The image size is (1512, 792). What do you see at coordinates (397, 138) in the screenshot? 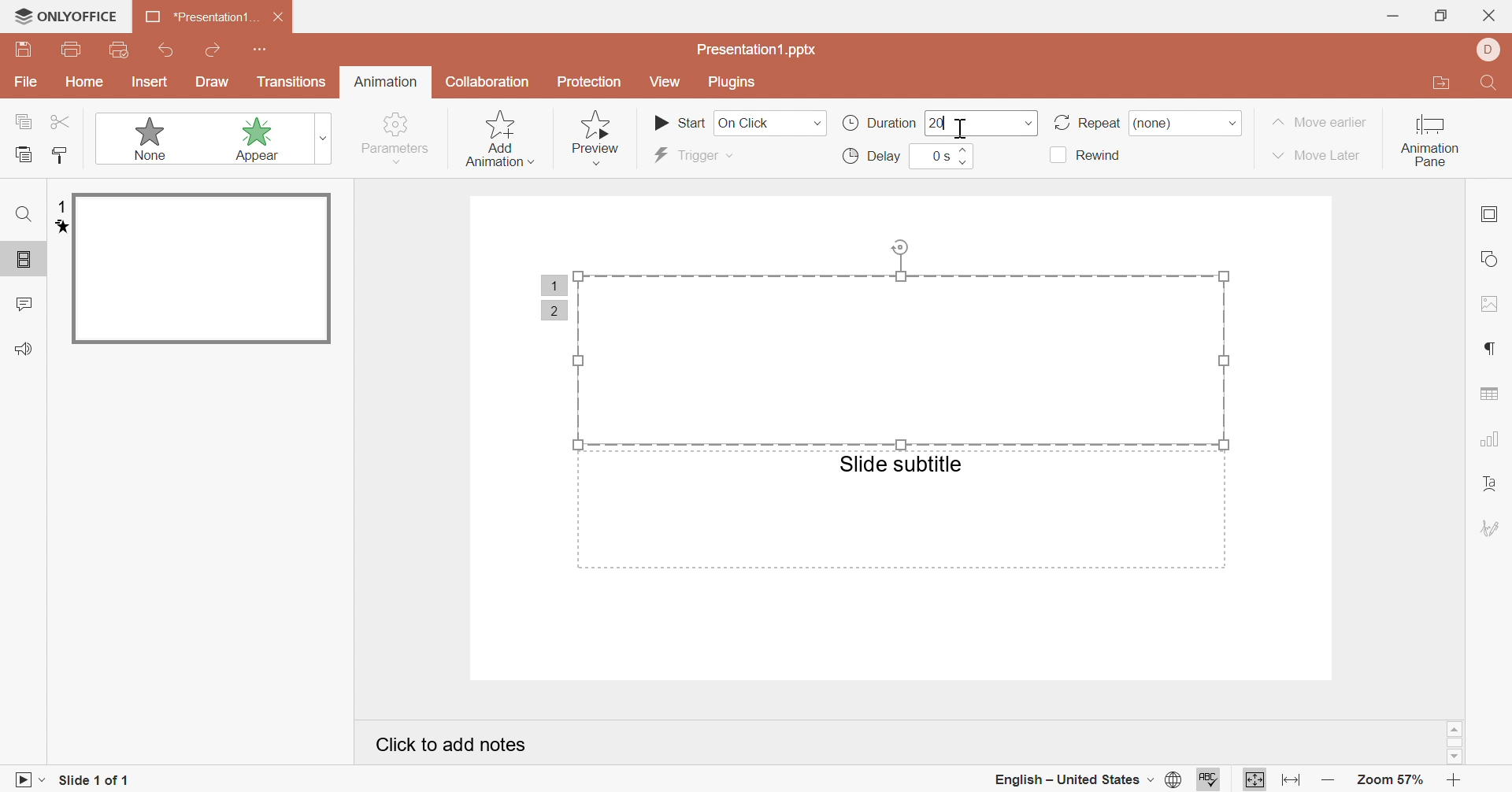
I see `parameters` at bounding box center [397, 138].